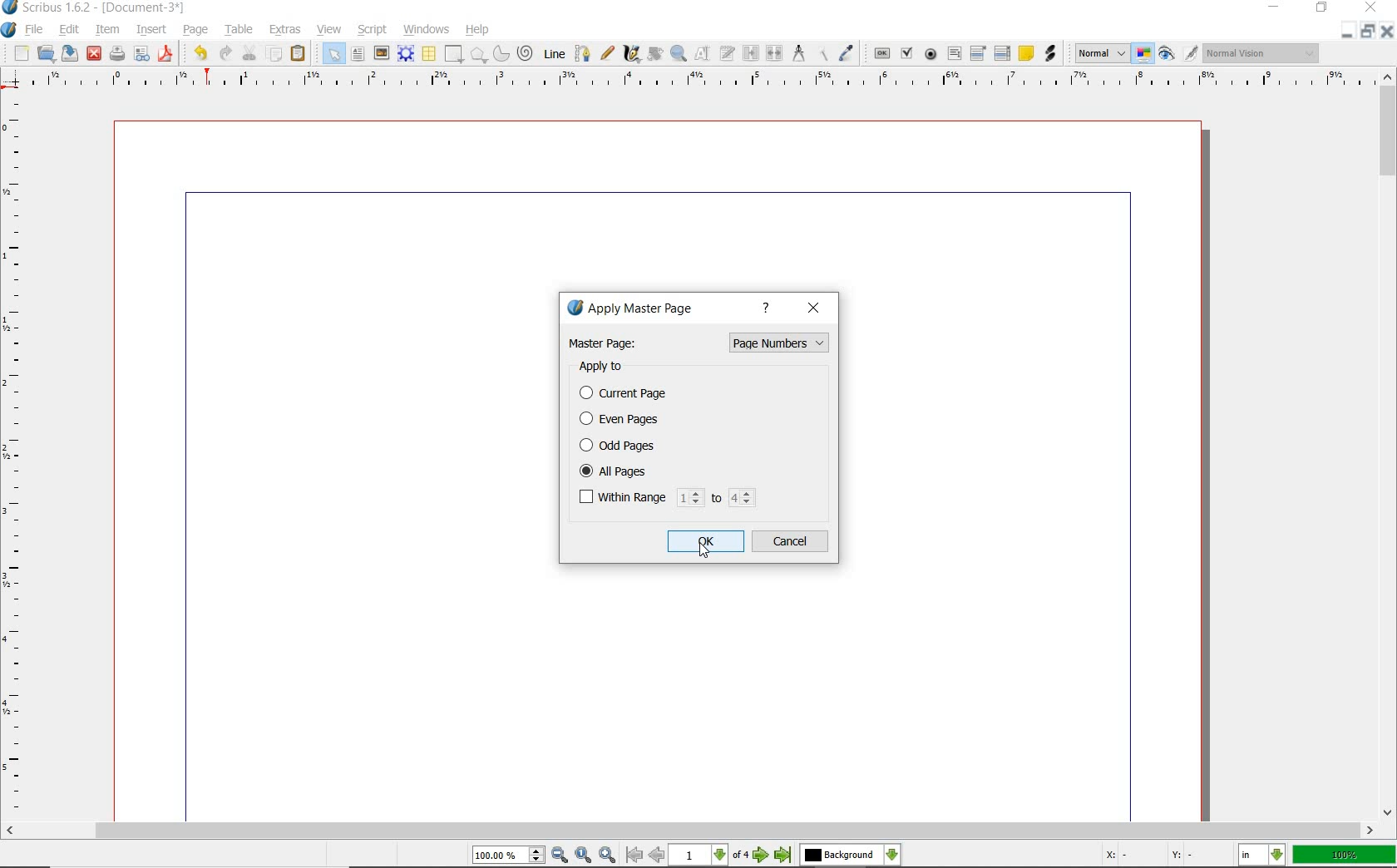 The height and width of the screenshot is (868, 1397). I want to click on select image preview mode: Normal, so click(1100, 52).